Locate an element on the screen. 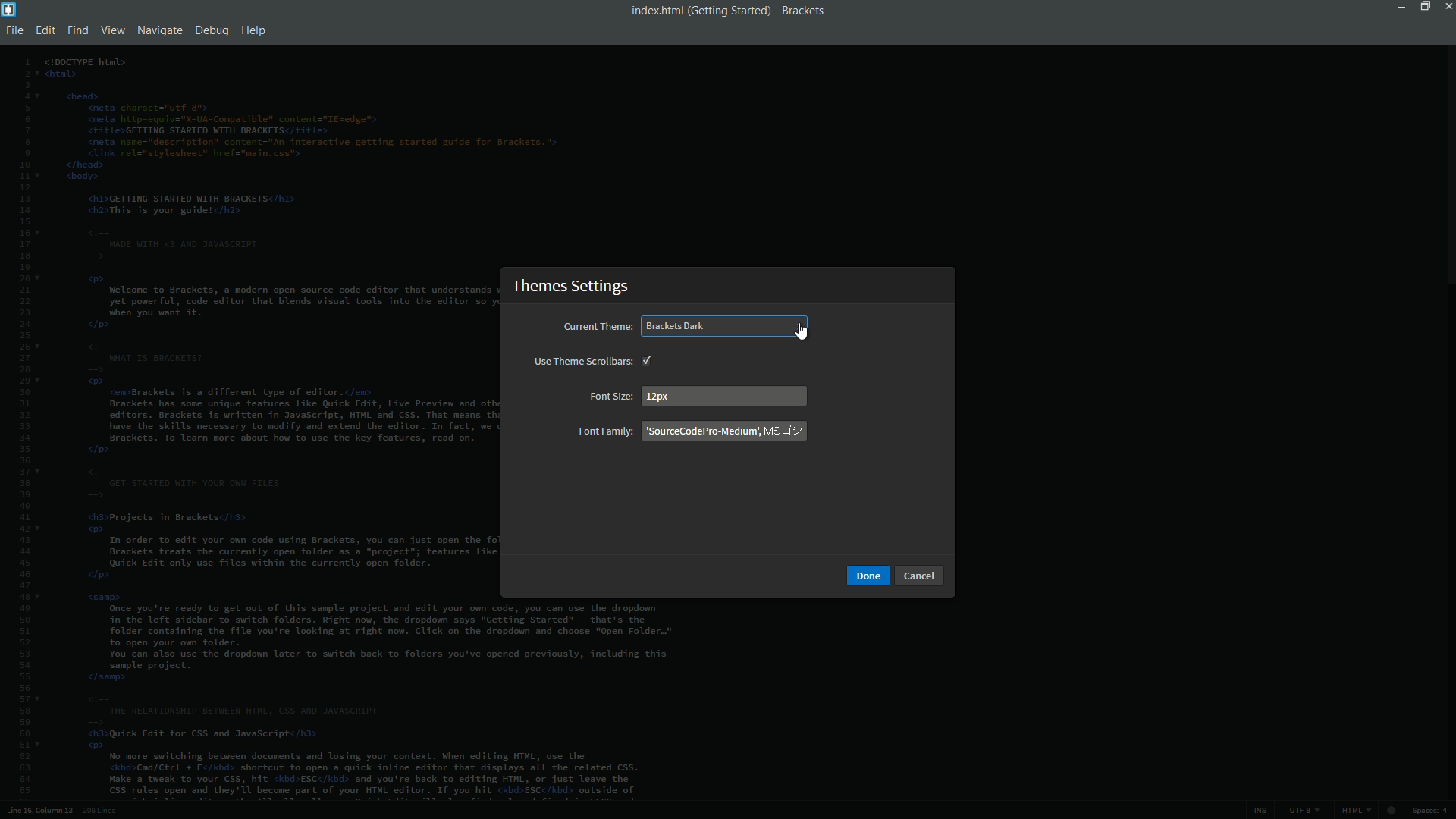  font size is located at coordinates (610, 397).